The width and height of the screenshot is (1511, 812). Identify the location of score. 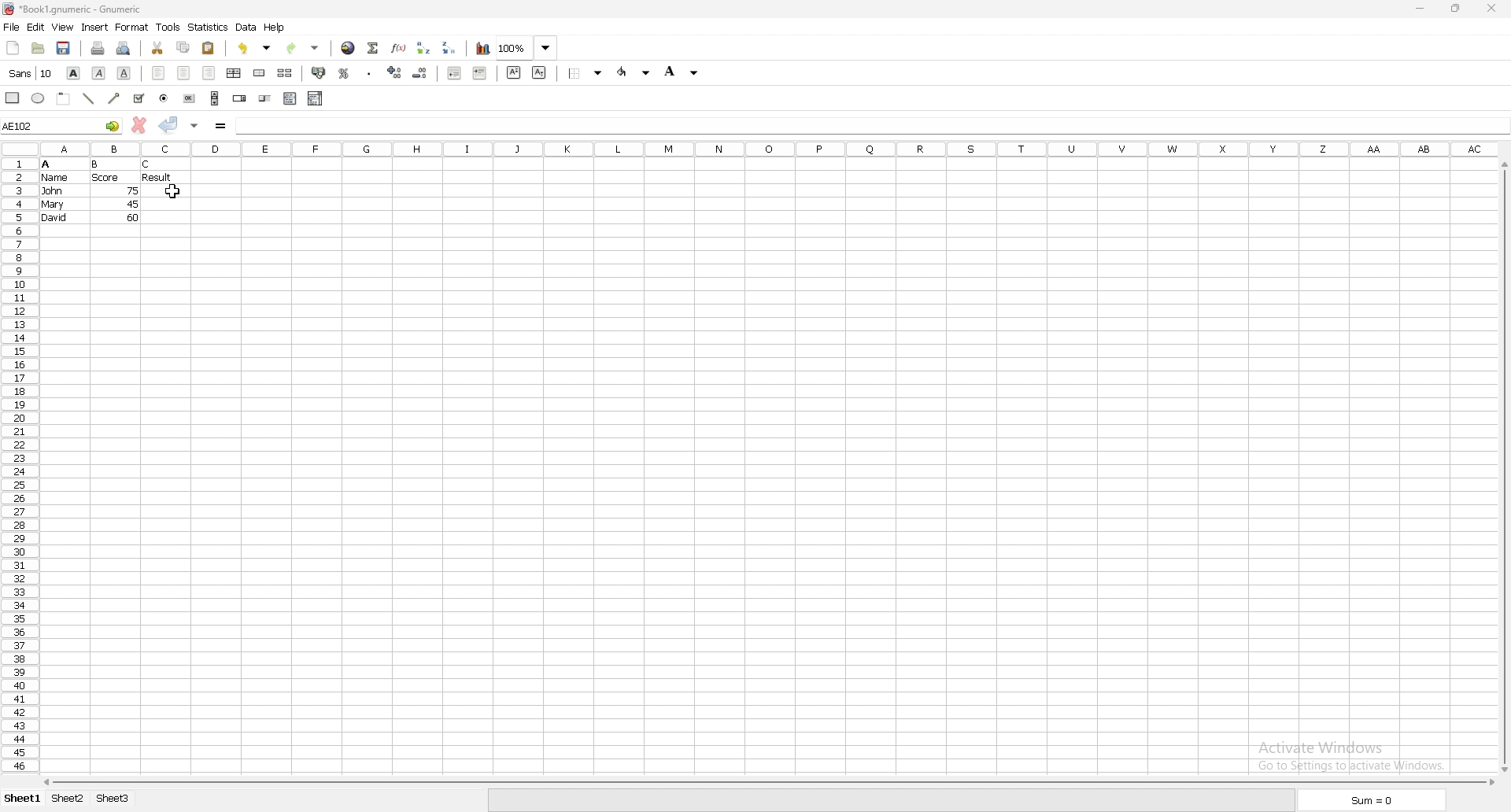
(107, 178).